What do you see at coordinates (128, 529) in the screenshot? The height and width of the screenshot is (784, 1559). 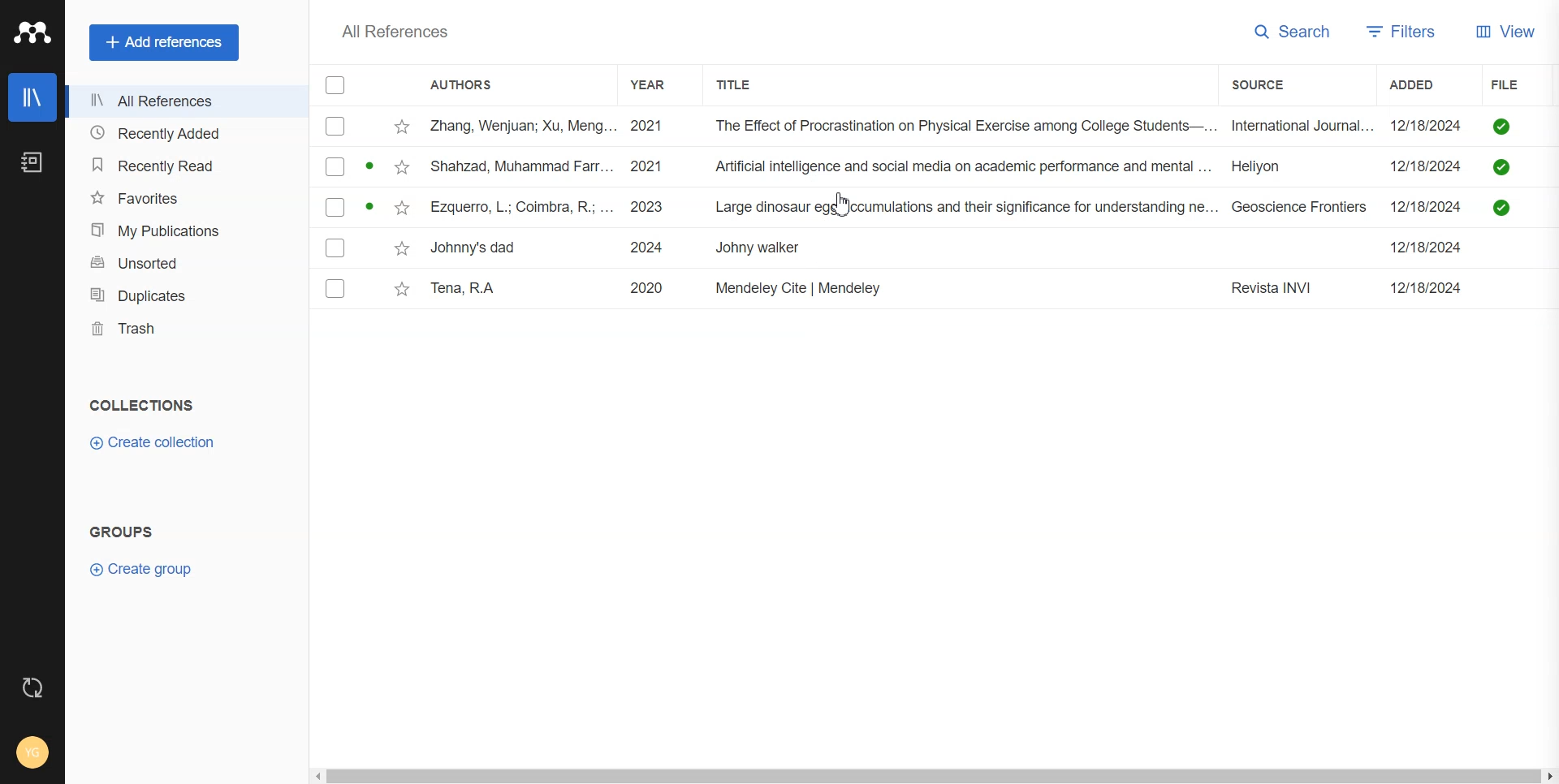 I see `Text` at bounding box center [128, 529].